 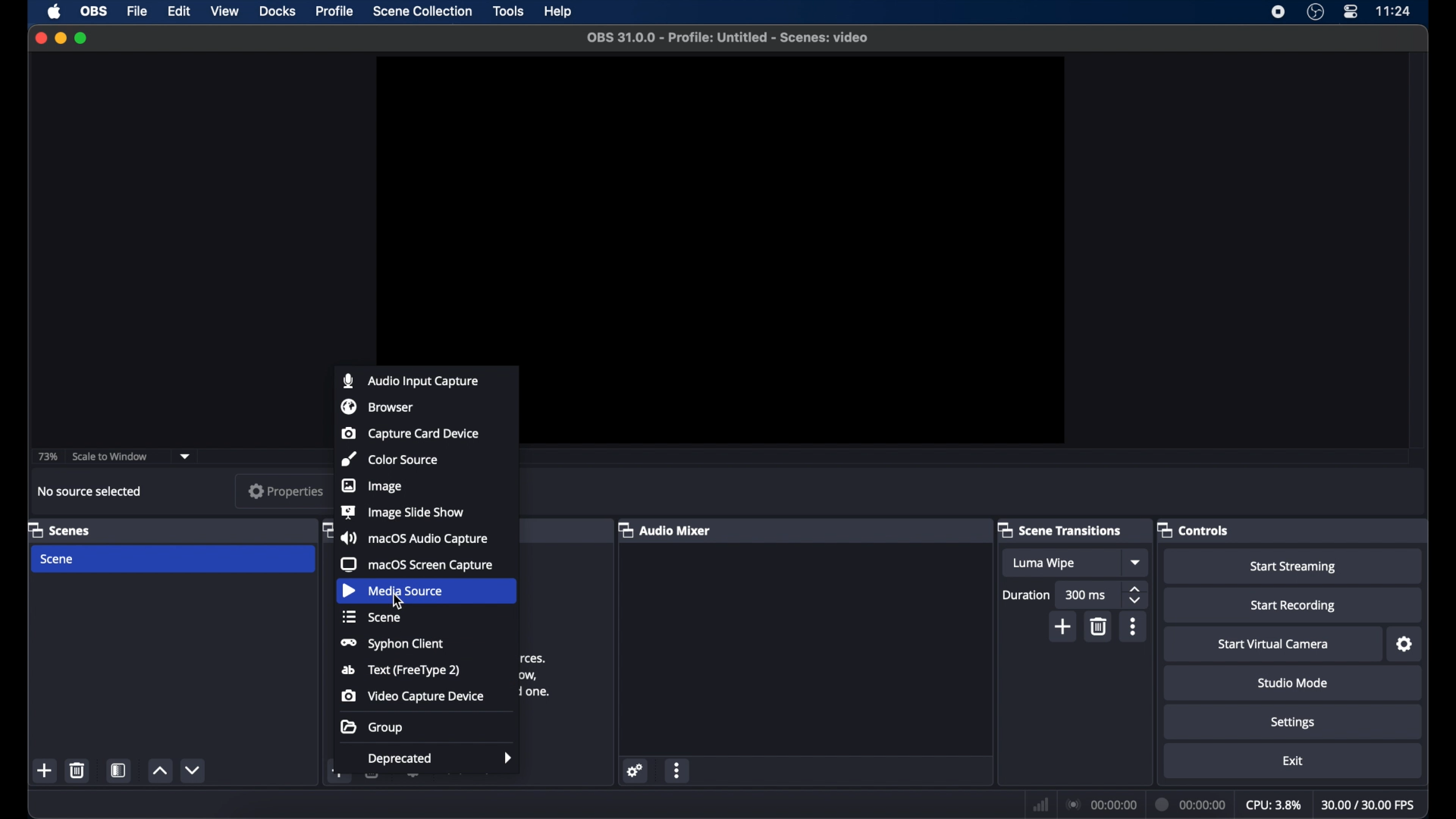 What do you see at coordinates (400, 602) in the screenshot?
I see `cursor` at bounding box center [400, 602].